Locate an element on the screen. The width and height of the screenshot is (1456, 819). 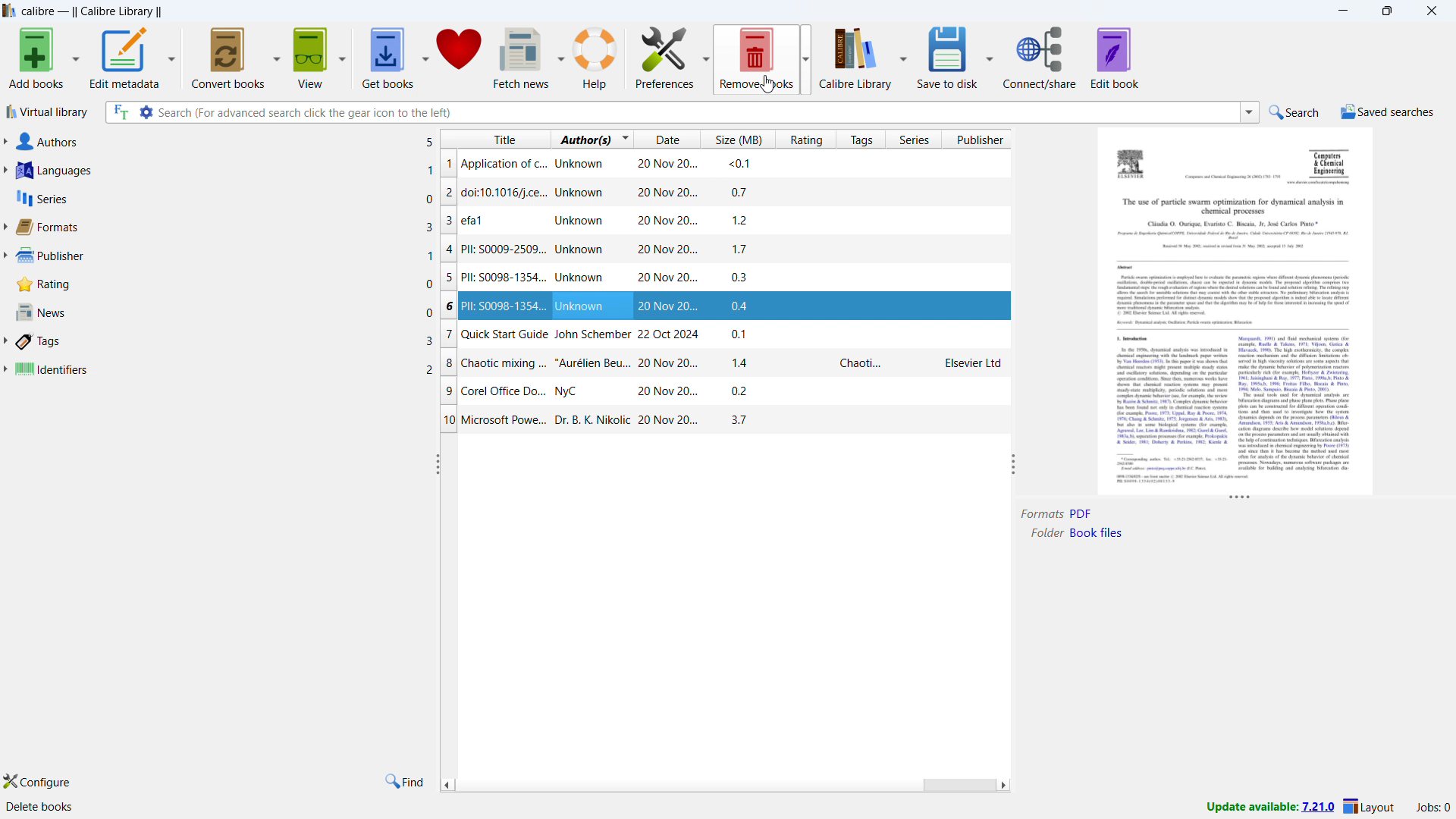
saved serches menu is located at coordinates (1388, 114).